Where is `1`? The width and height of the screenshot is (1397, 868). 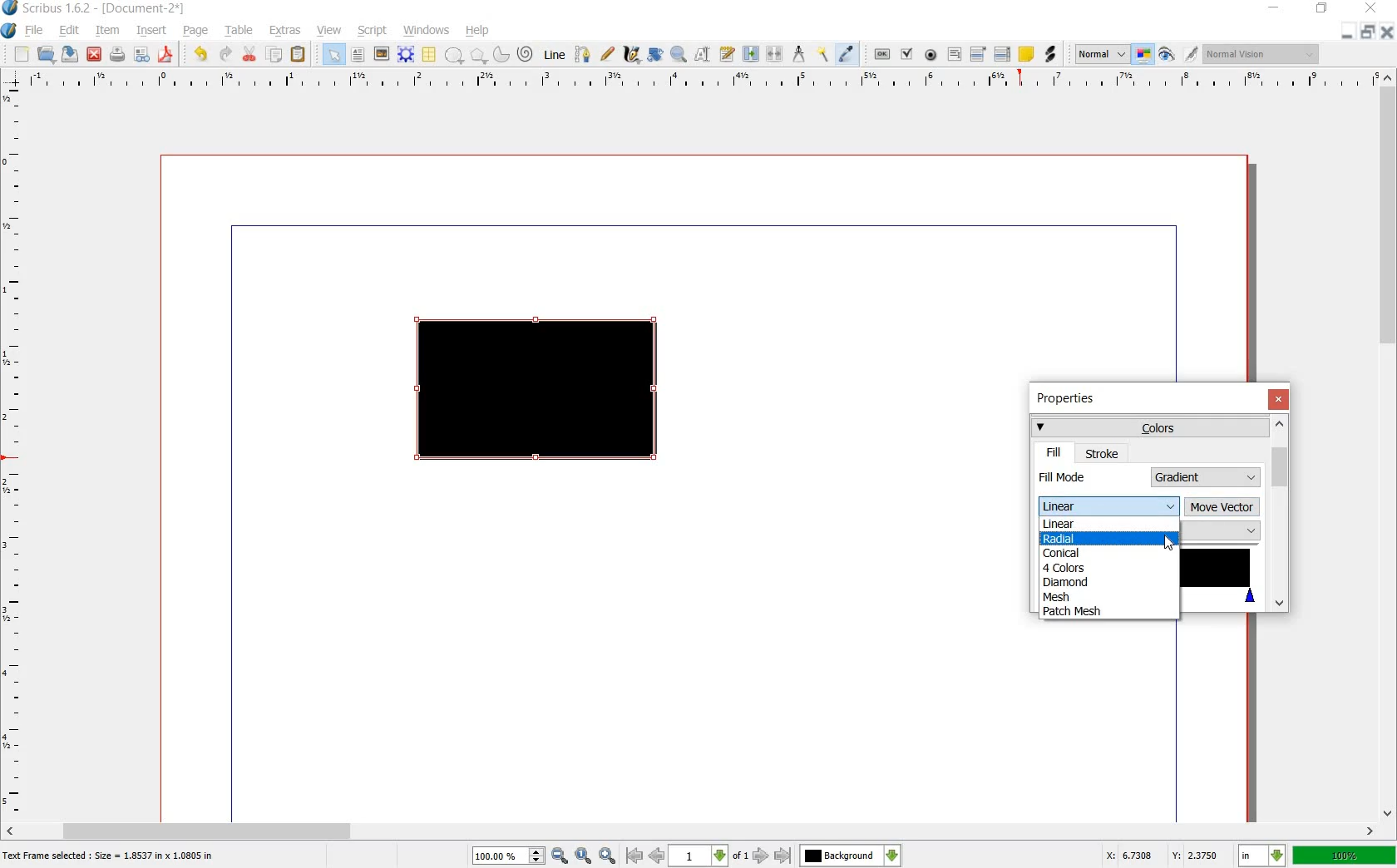
1 is located at coordinates (697, 856).